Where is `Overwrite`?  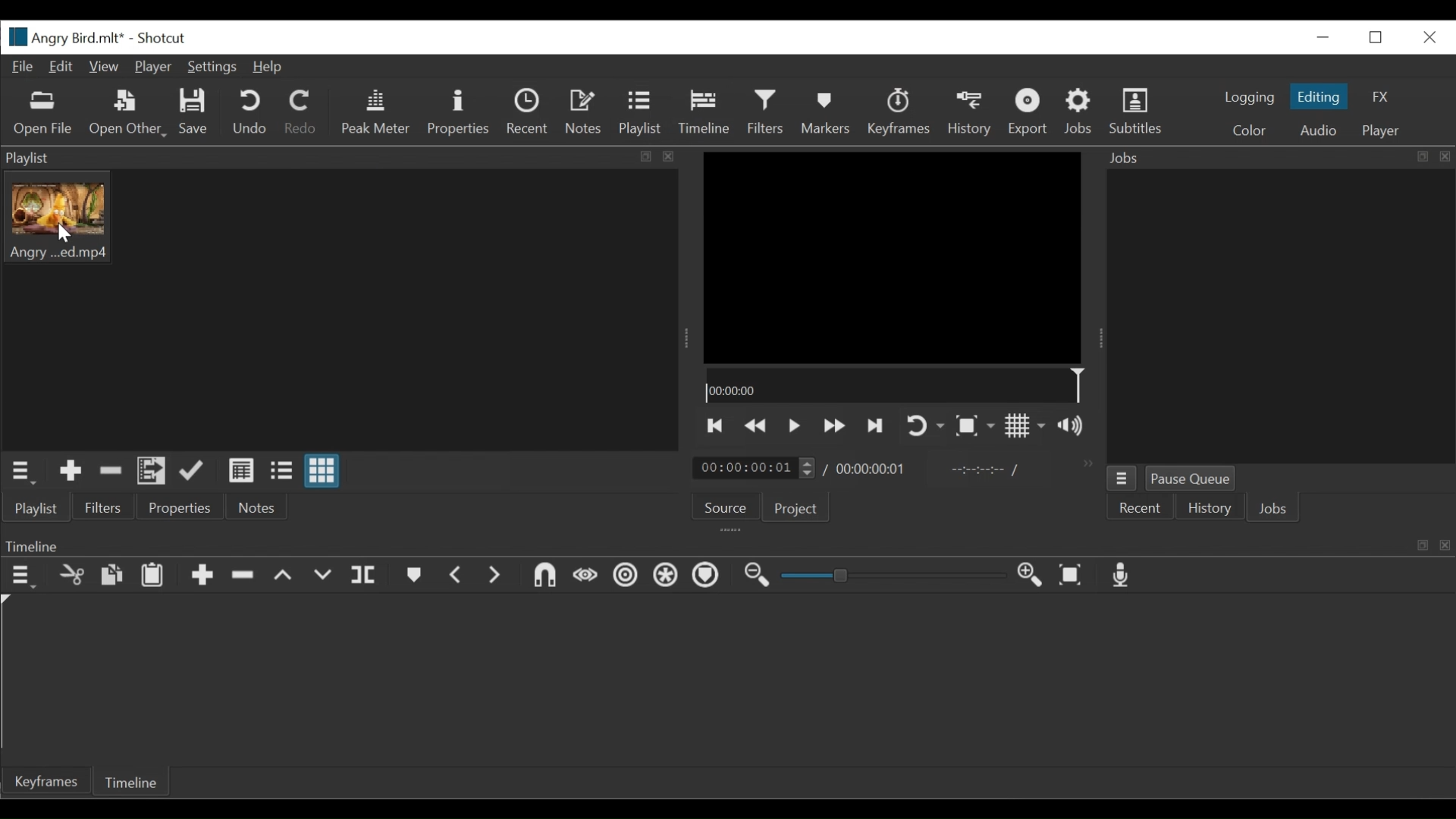
Overwrite is located at coordinates (321, 576).